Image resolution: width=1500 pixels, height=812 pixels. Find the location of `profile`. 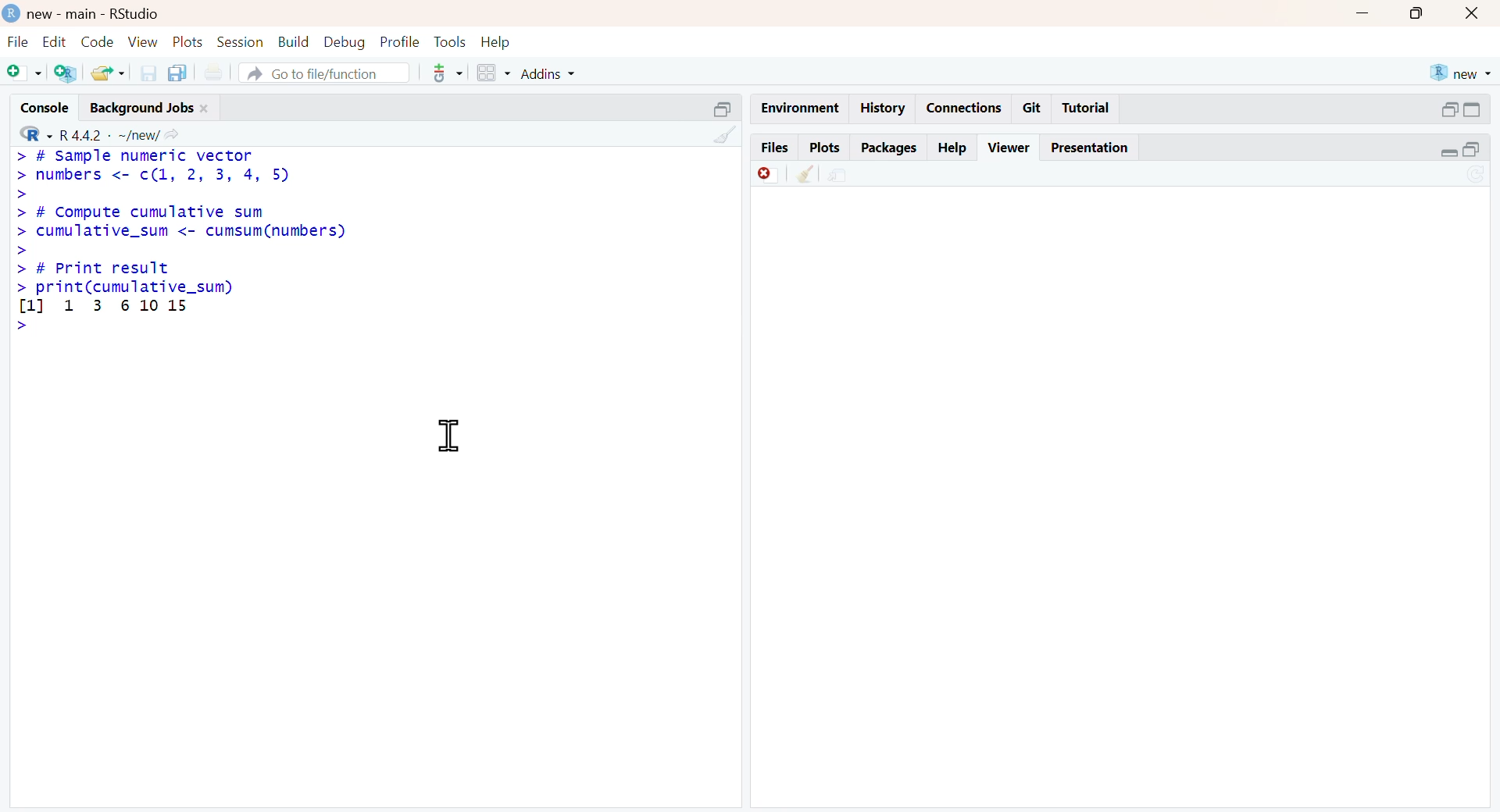

profile is located at coordinates (402, 41).